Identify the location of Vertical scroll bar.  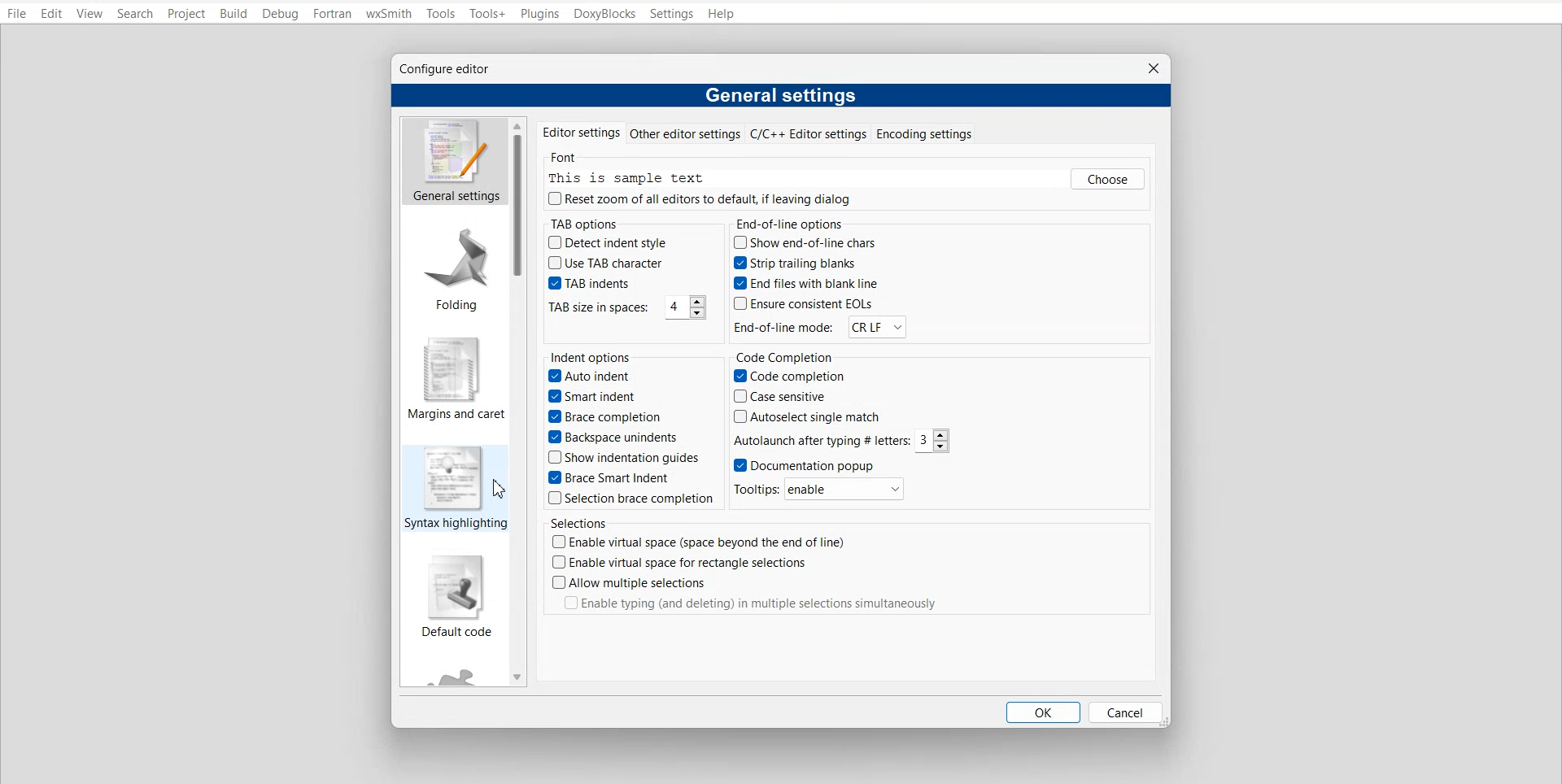
(520, 403).